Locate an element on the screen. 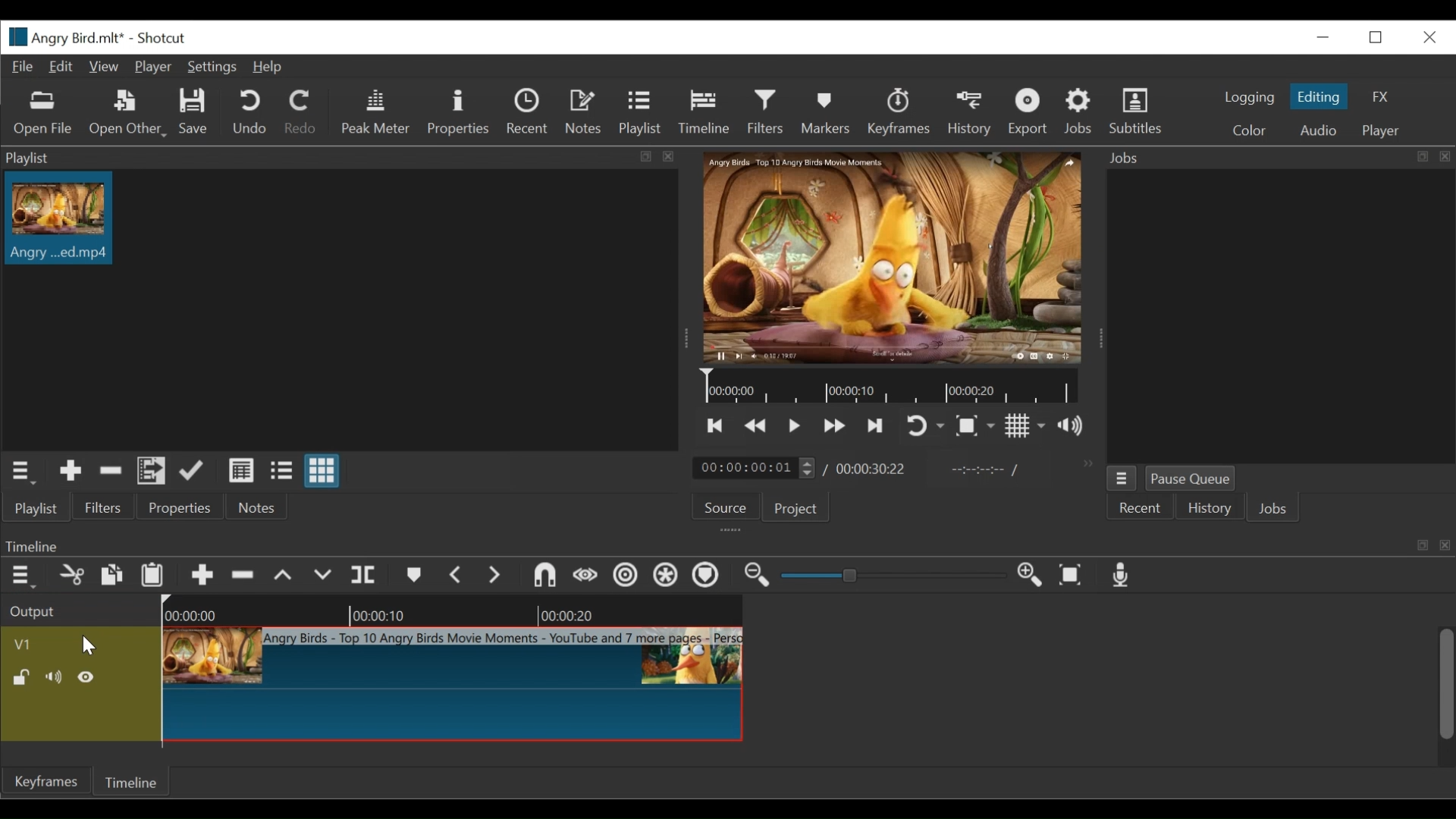 This screenshot has width=1456, height=819. In point is located at coordinates (984, 470).